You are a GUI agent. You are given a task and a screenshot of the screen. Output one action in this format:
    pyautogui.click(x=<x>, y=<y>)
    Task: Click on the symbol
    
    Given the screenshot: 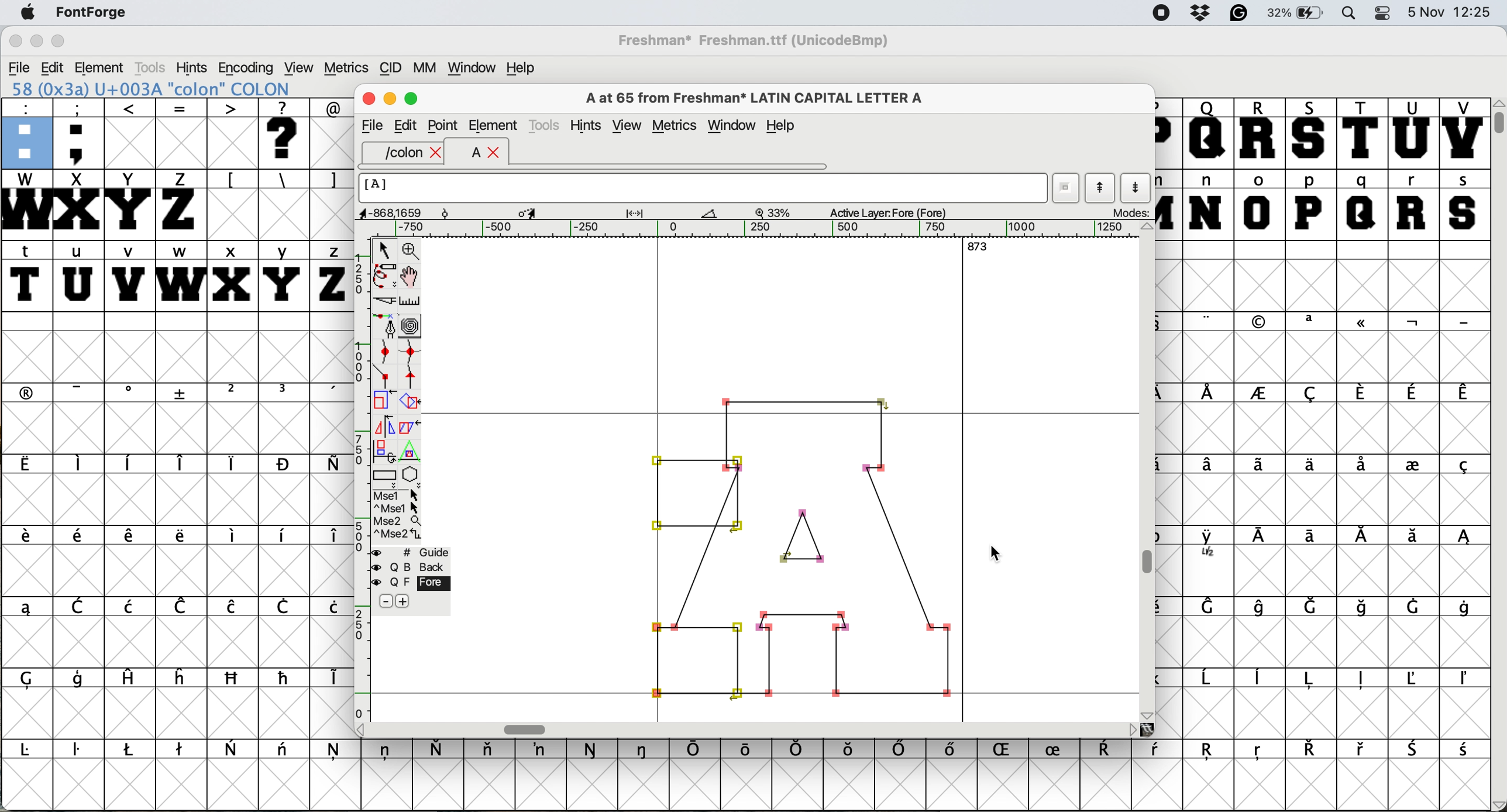 What is the action you would take?
    pyautogui.click(x=1363, y=538)
    